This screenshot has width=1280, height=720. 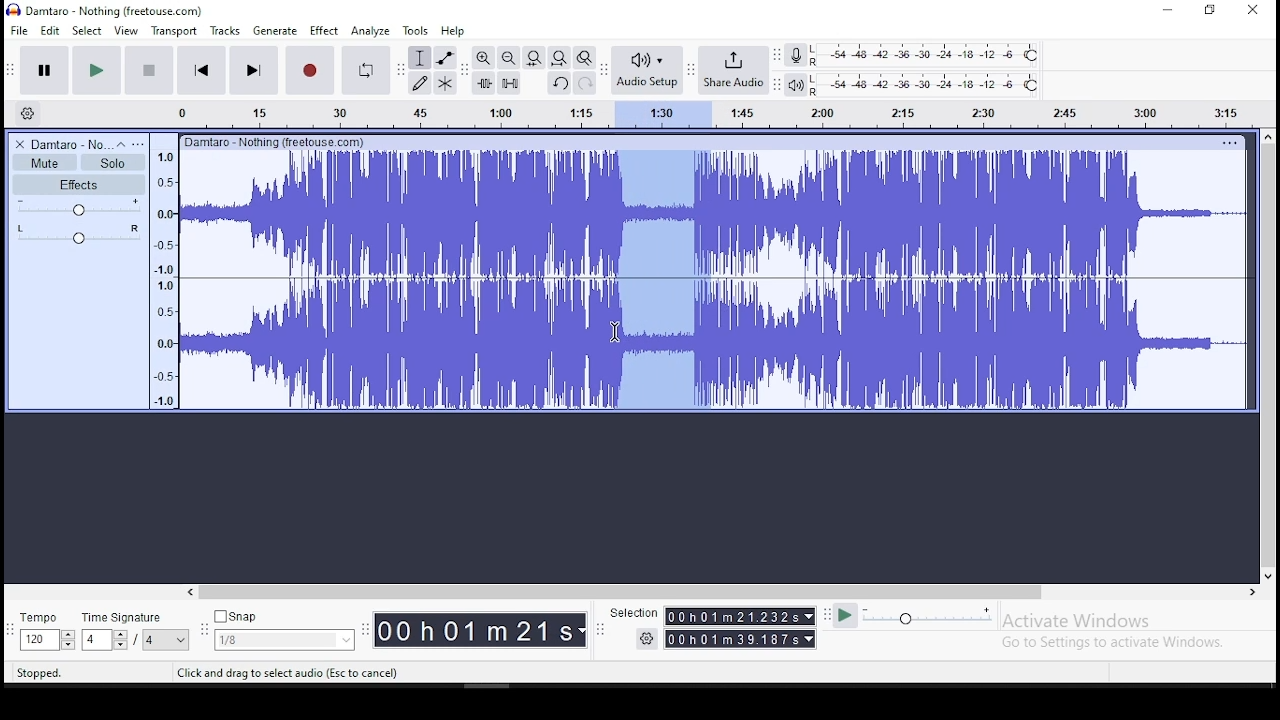 What do you see at coordinates (89, 30) in the screenshot?
I see `select` at bounding box center [89, 30].